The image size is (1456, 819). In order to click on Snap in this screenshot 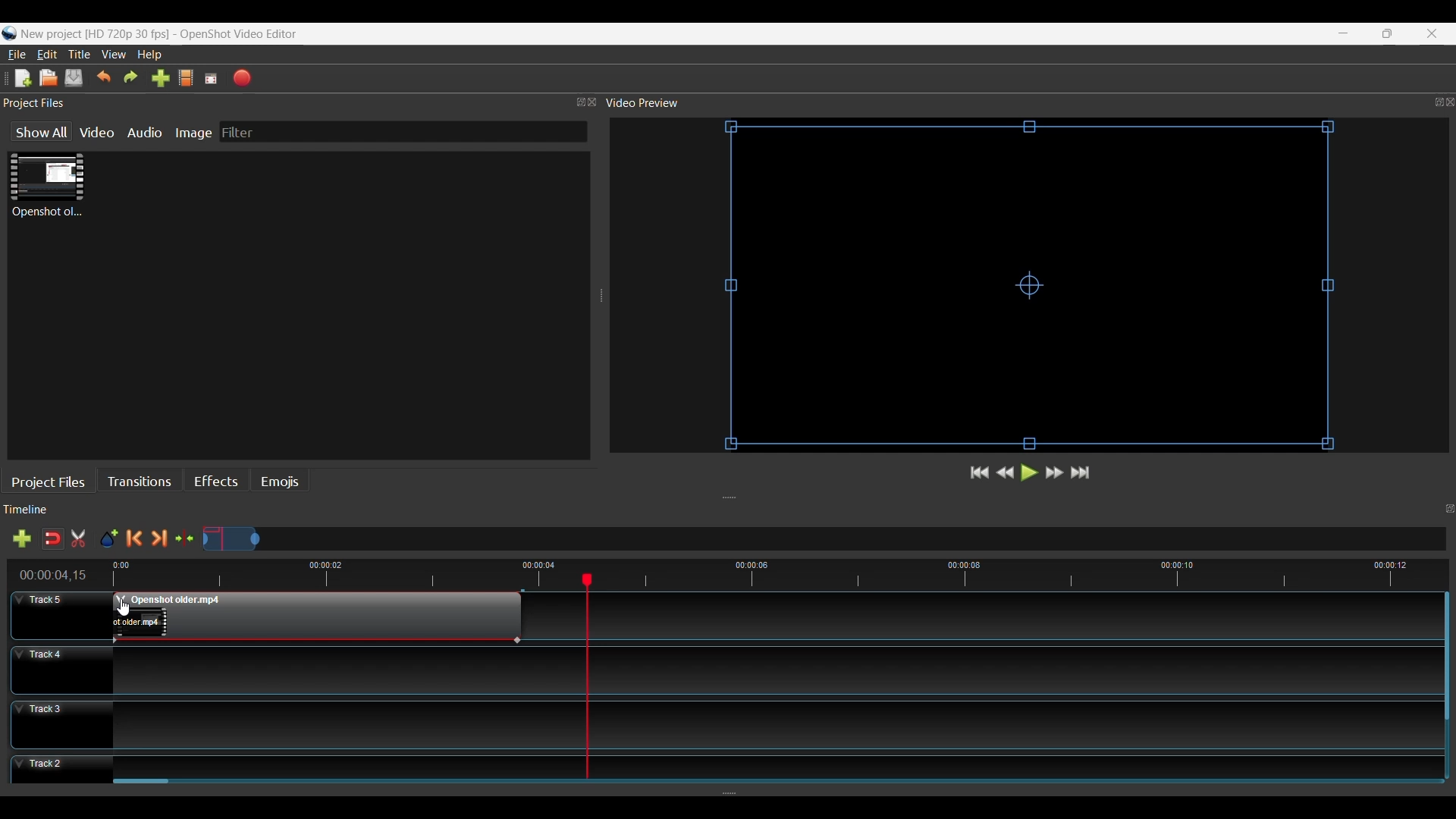, I will do `click(52, 538)`.